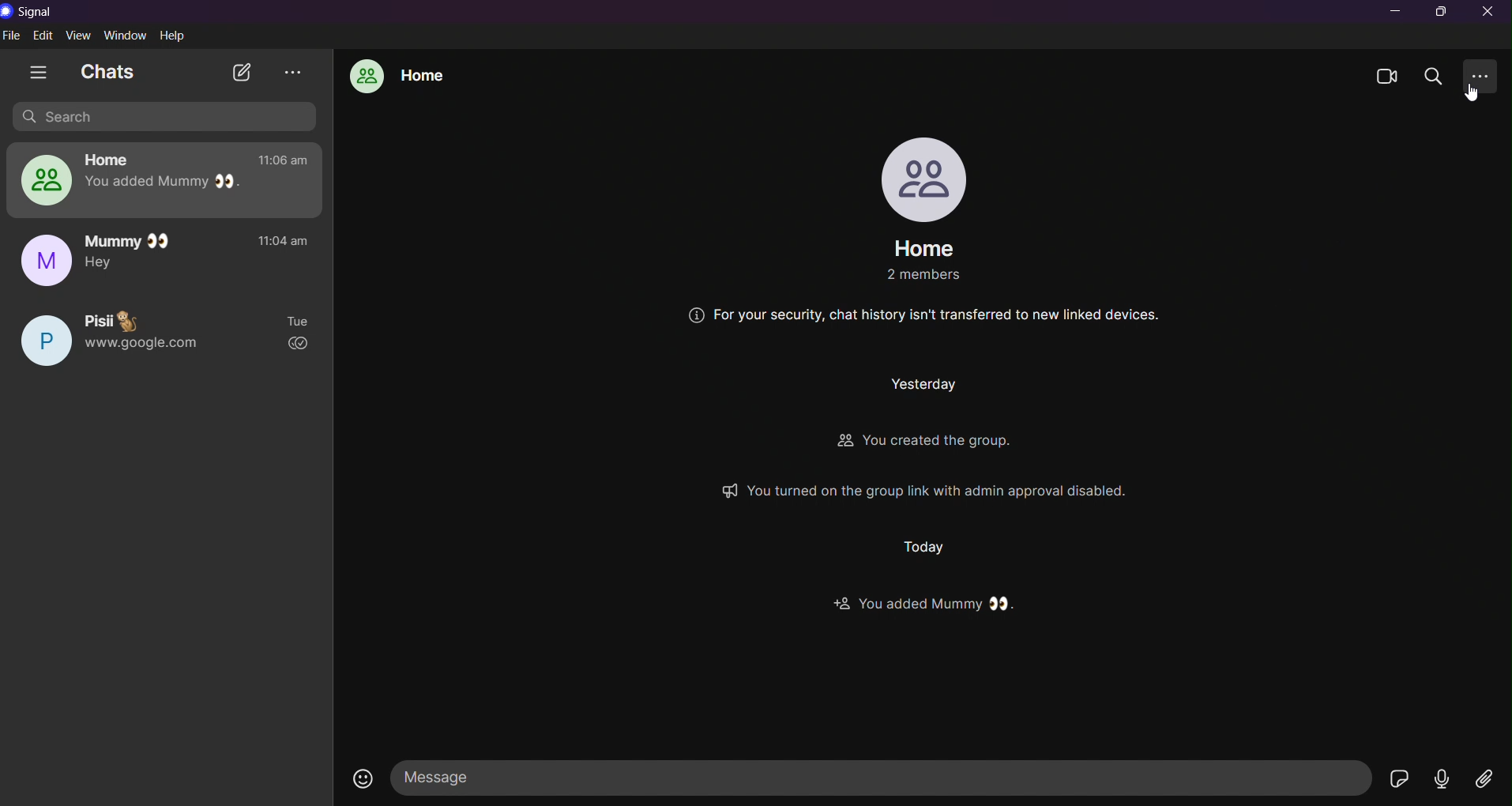  Describe the element at coordinates (171, 258) in the screenshot. I see `mummy chat` at that location.